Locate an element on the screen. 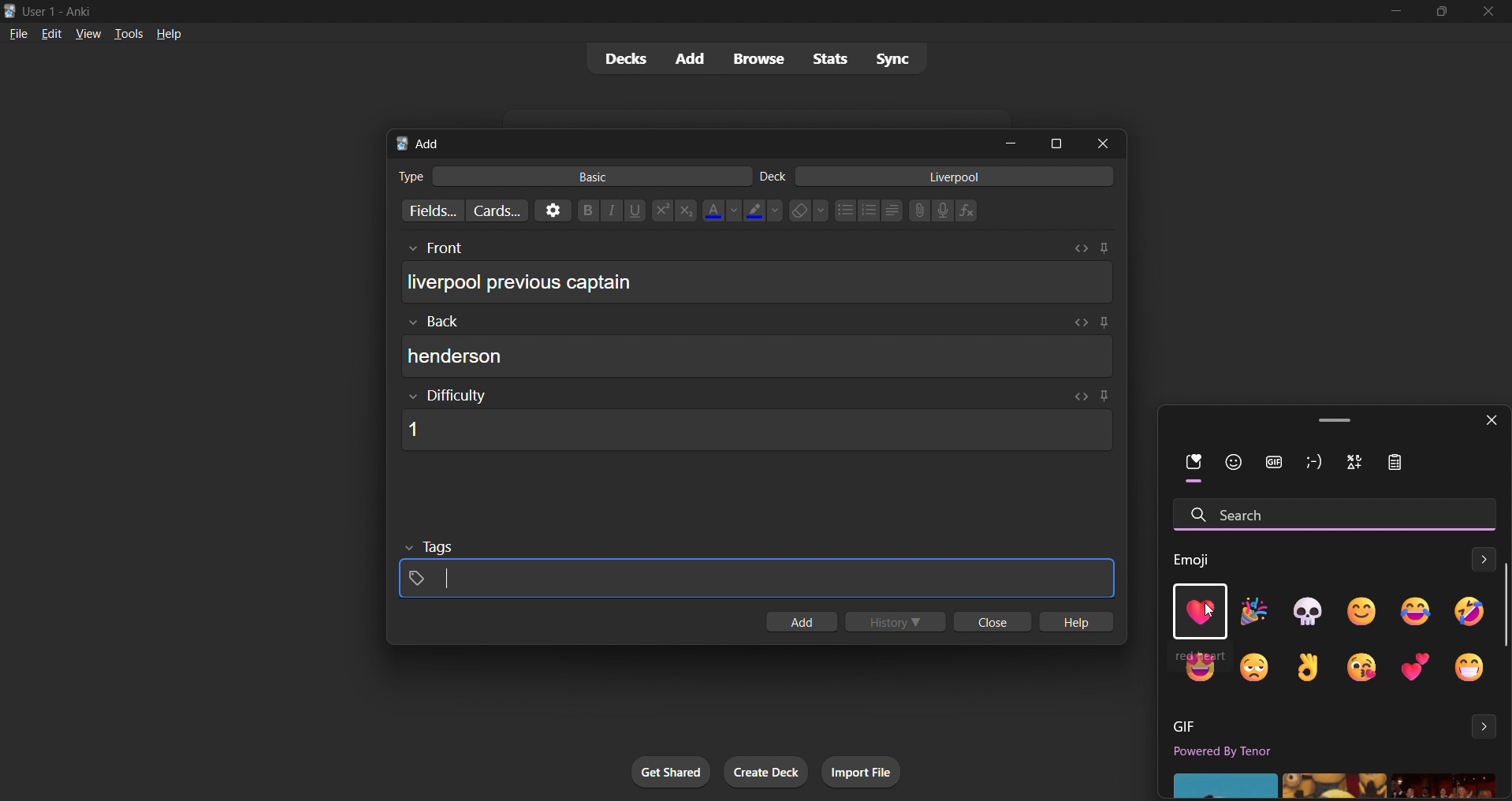  font color is located at coordinates (717, 209).